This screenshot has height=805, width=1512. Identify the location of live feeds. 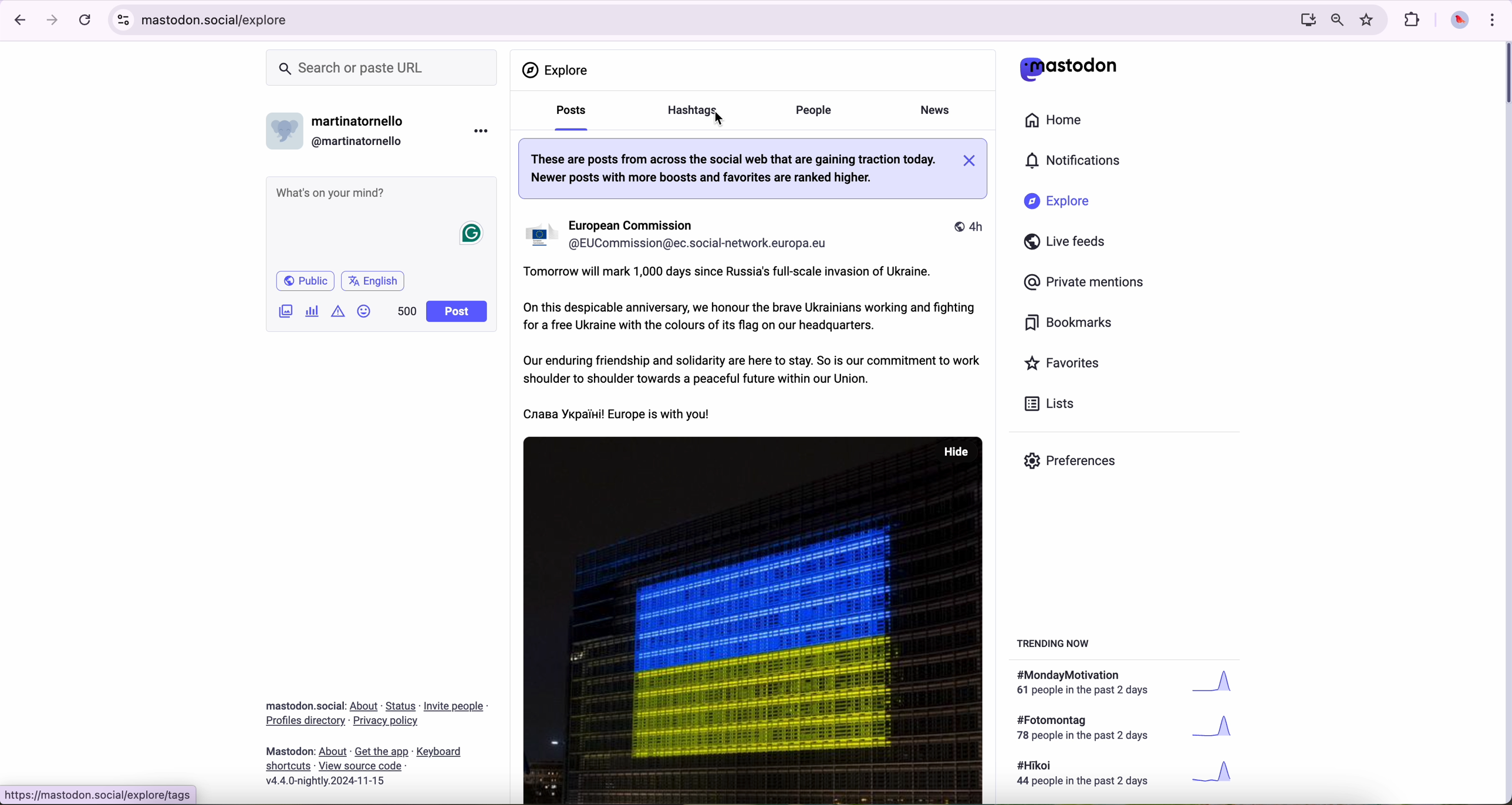
(1067, 242).